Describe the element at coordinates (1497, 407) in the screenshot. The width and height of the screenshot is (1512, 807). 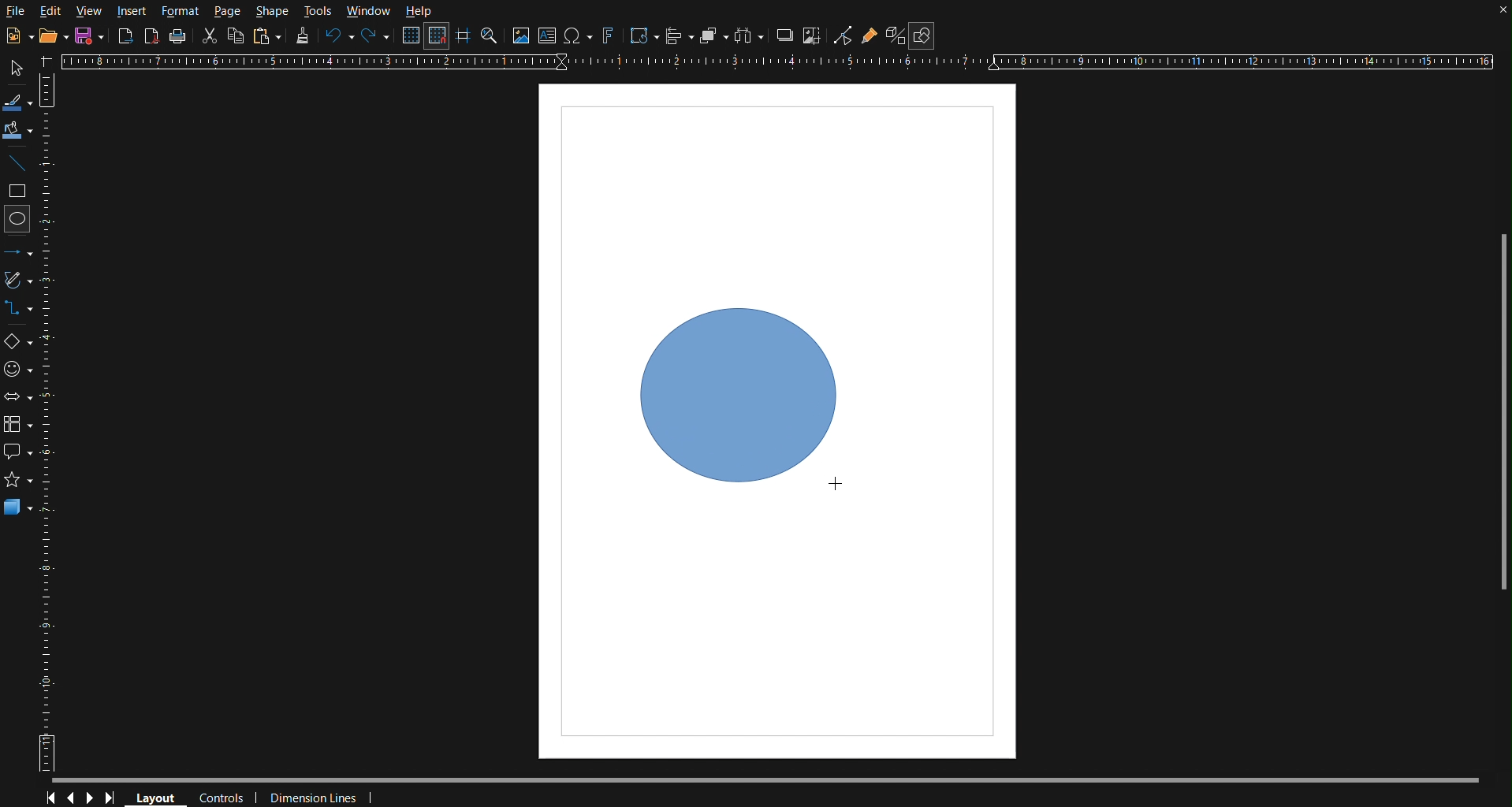
I see `Scrollbar` at that location.